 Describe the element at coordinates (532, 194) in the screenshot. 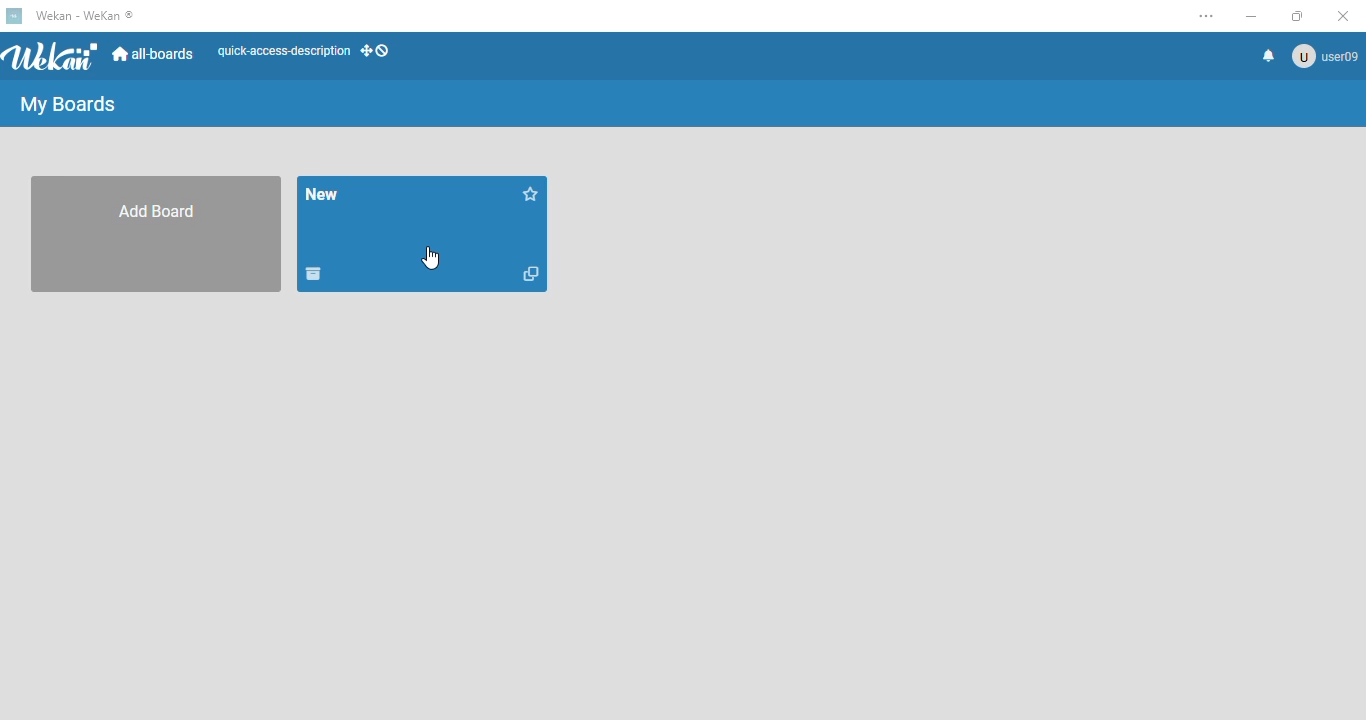

I see `click to star this board` at that location.